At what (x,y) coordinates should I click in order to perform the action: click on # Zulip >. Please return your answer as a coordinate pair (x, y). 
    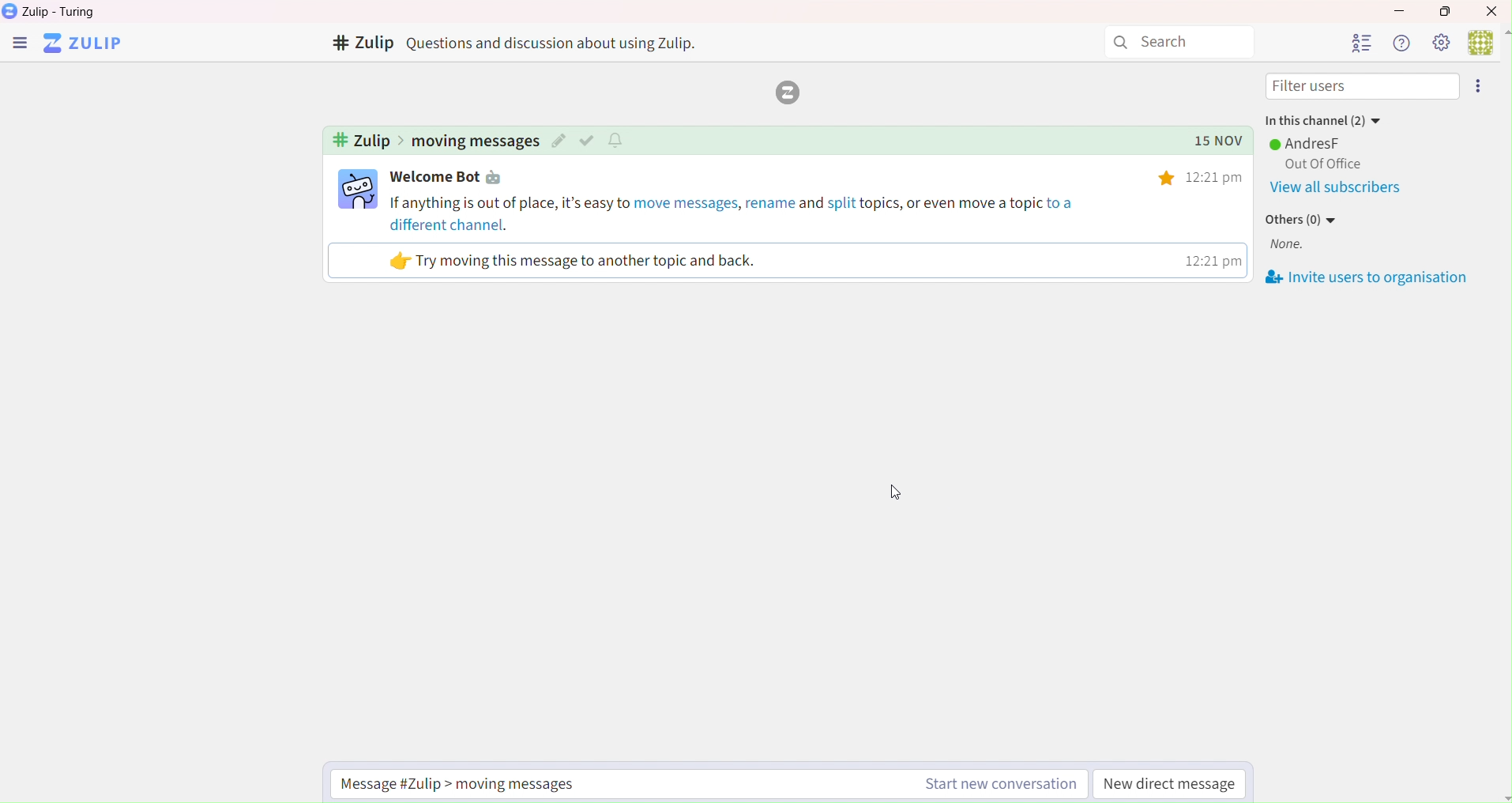
    Looking at the image, I should click on (366, 141).